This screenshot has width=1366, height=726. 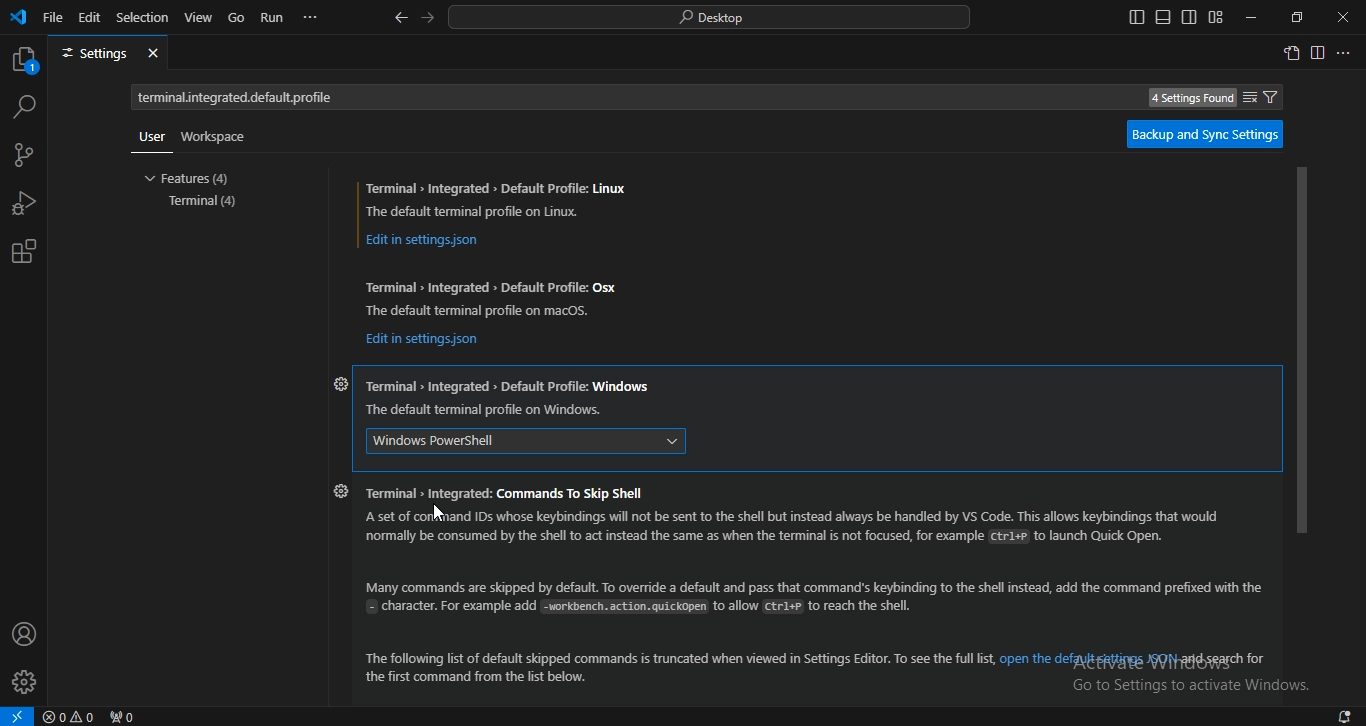 What do you see at coordinates (23, 635) in the screenshot?
I see `account` at bounding box center [23, 635].